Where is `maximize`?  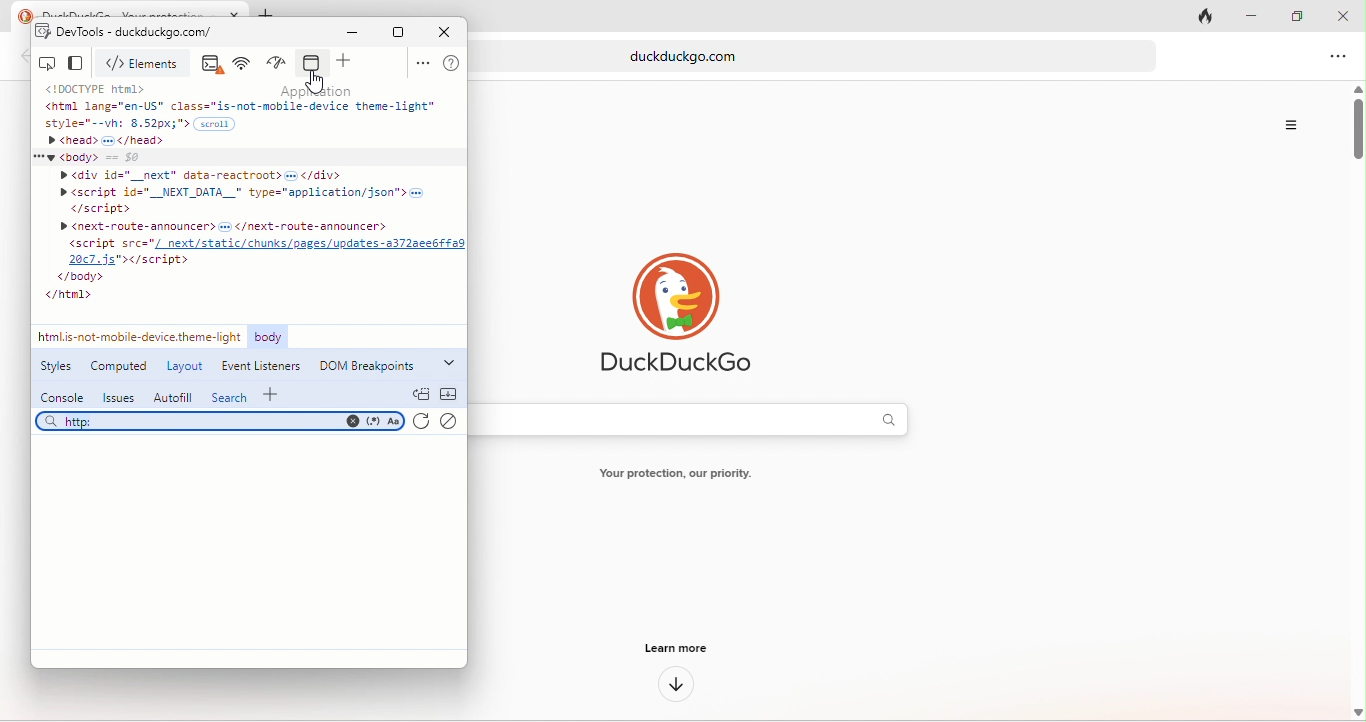
maximize is located at coordinates (397, 32).